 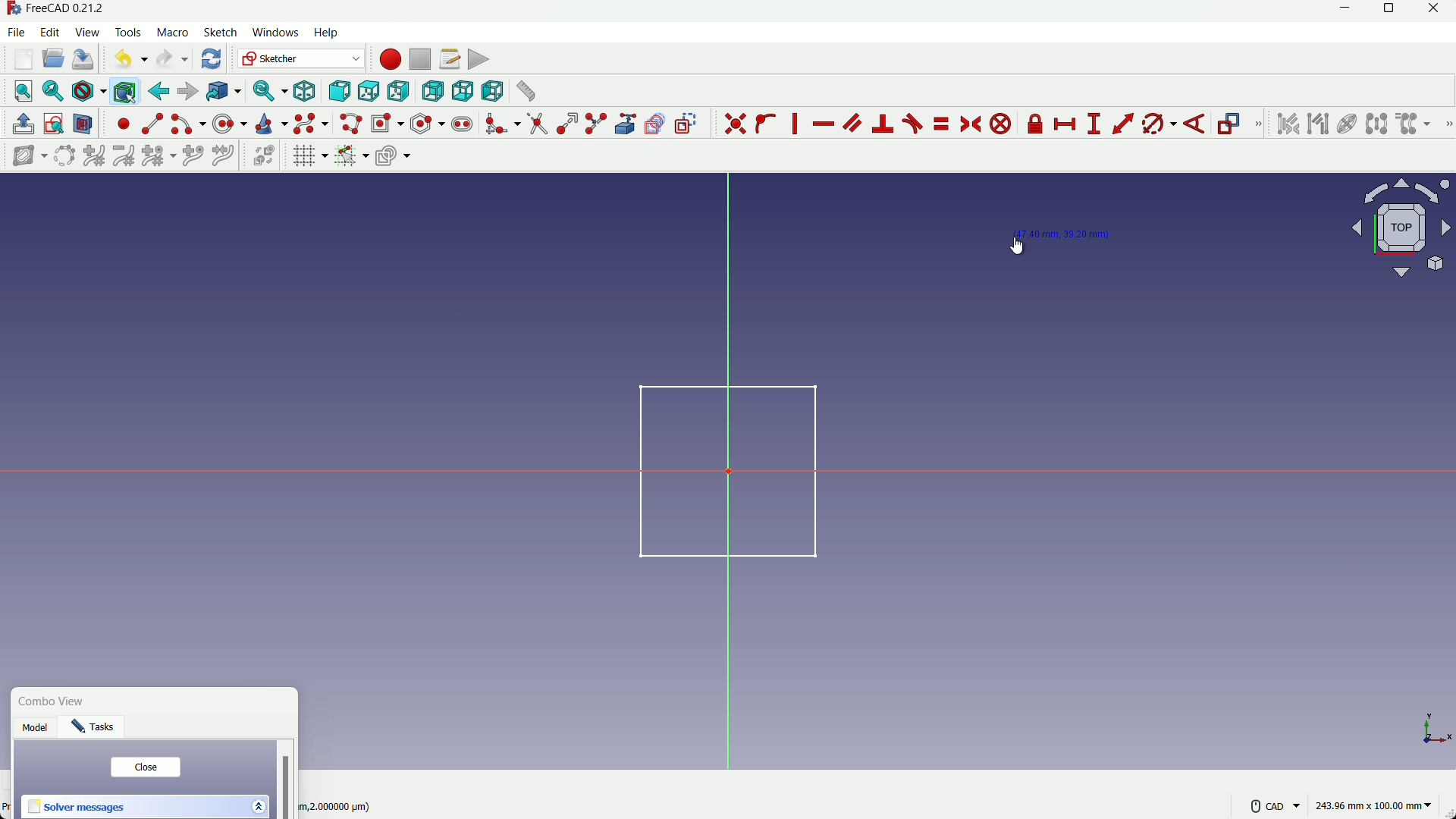 I want to click on join curves, so click(x=227, y=154).